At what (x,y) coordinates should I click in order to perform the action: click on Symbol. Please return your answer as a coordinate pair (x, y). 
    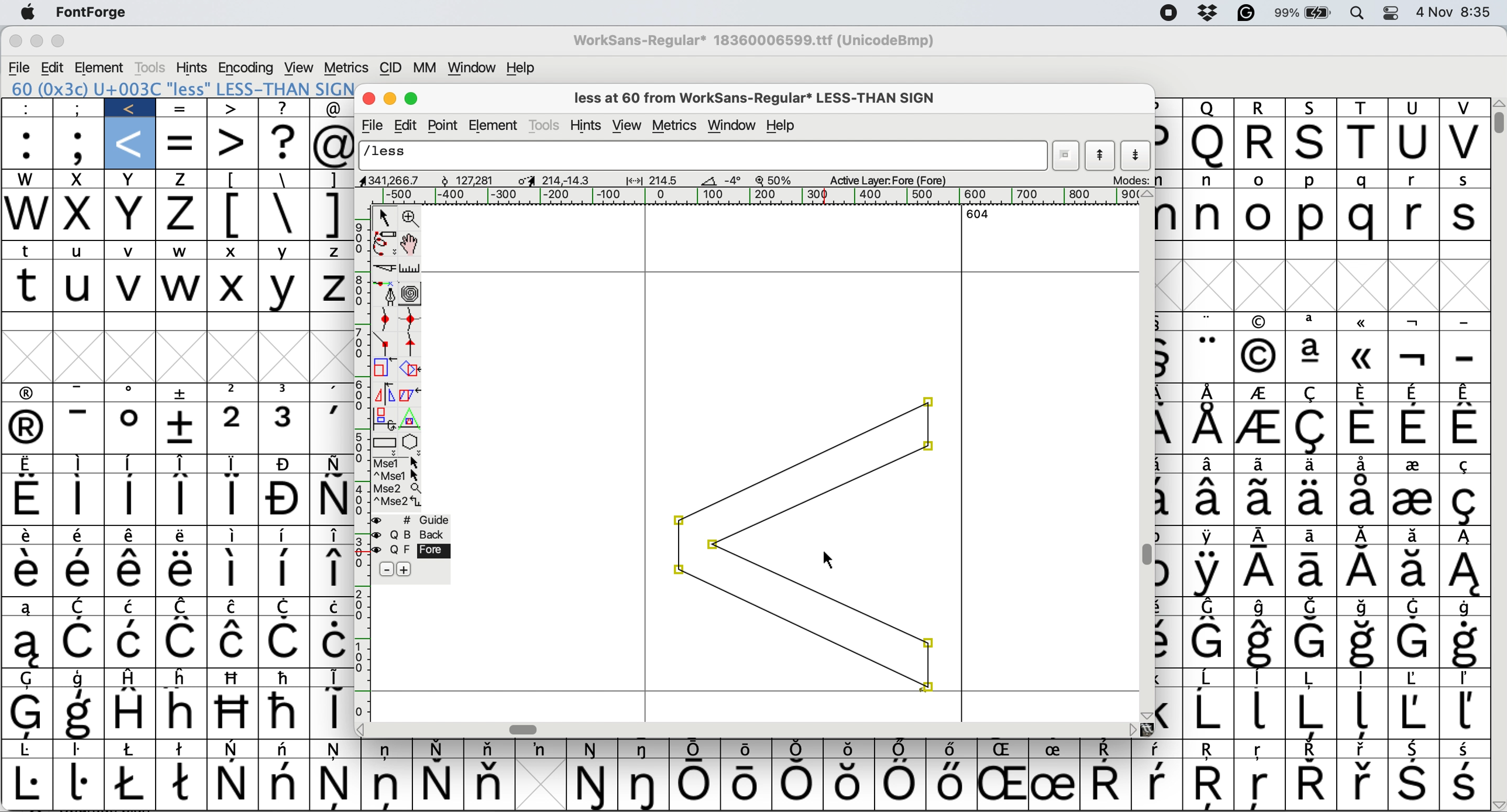
    Looking at the image, I should click on (182, 391).